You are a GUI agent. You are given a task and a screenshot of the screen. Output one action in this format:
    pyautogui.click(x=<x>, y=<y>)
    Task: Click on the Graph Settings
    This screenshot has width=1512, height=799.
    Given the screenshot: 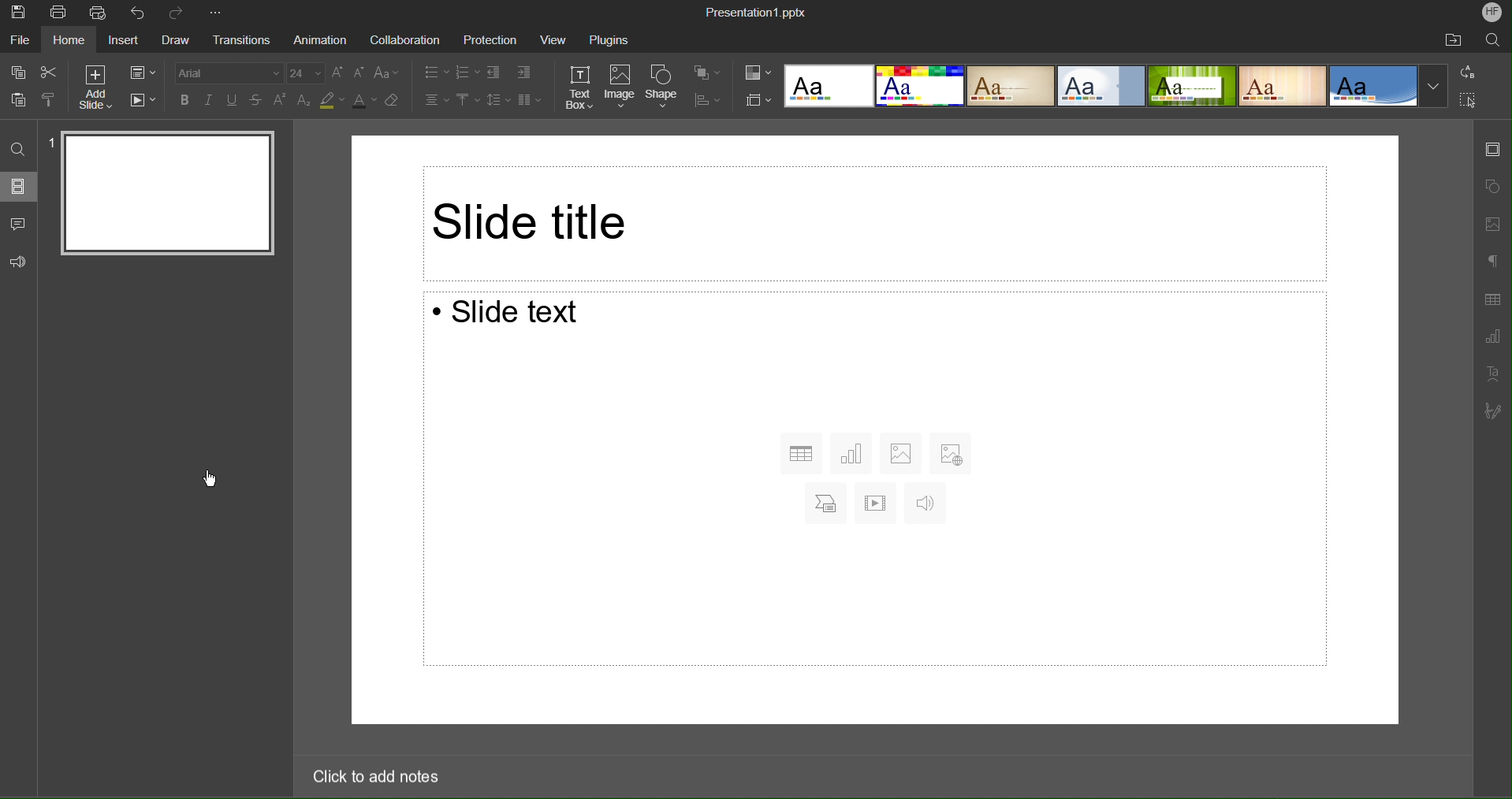 What is the action you would take?
    pyautogui.click(x=1492, y=335)
    